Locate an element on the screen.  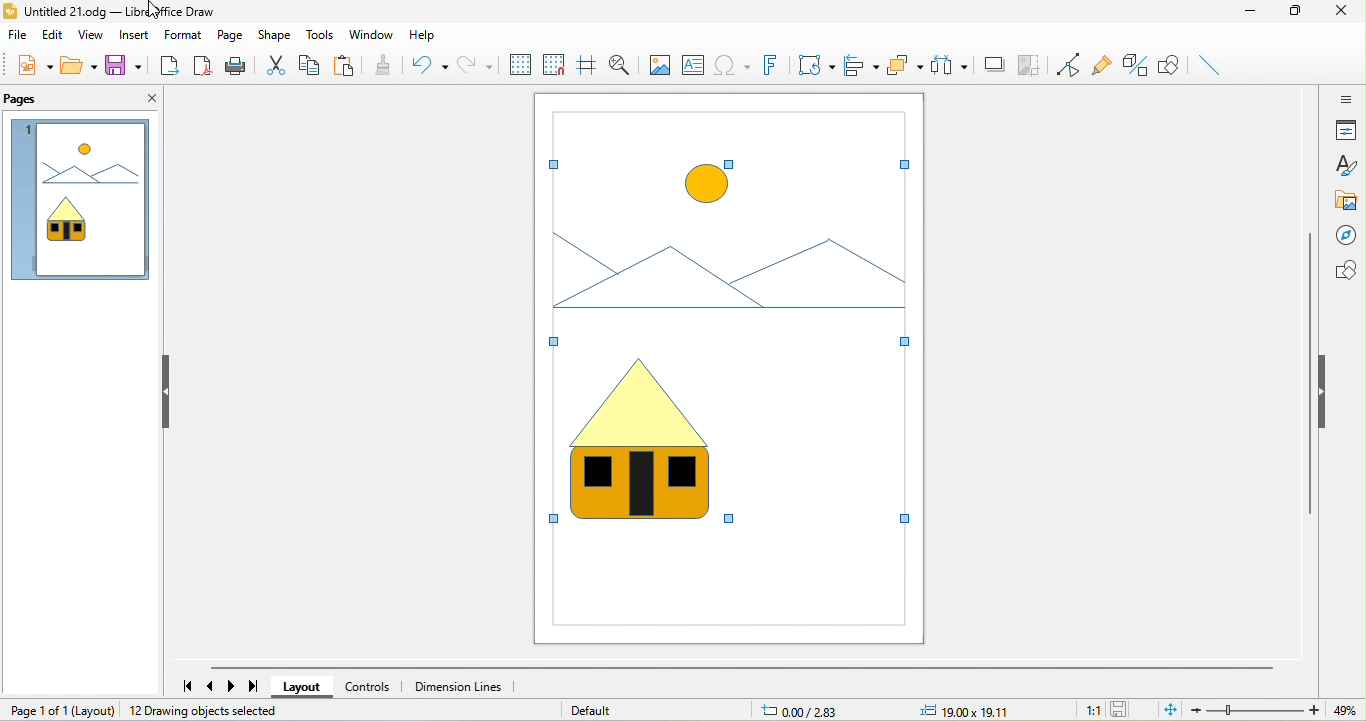
line tool is located at coordinates (1218, 67).